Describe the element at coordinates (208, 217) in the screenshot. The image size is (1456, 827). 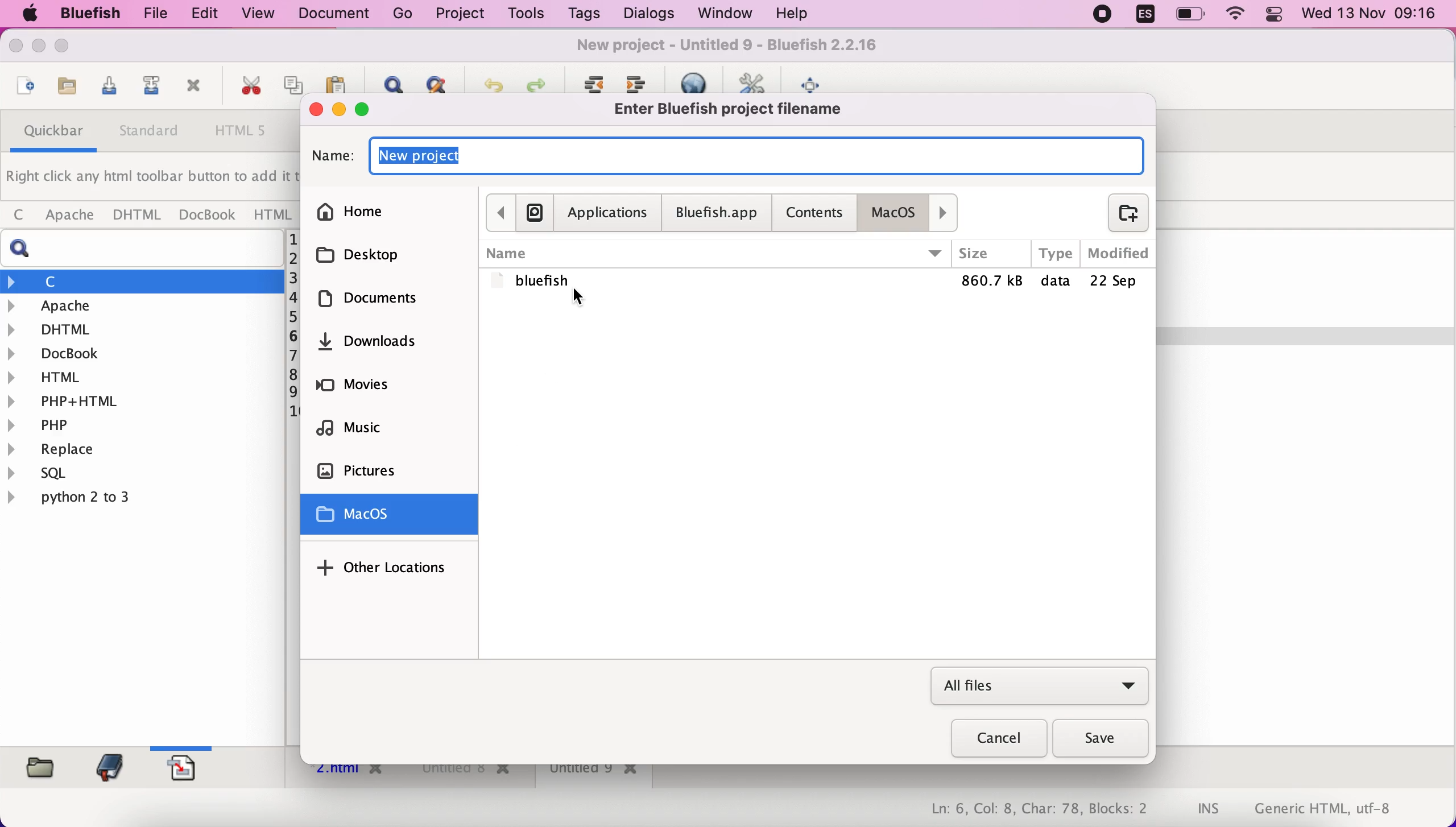
I see `docbook` at that location.